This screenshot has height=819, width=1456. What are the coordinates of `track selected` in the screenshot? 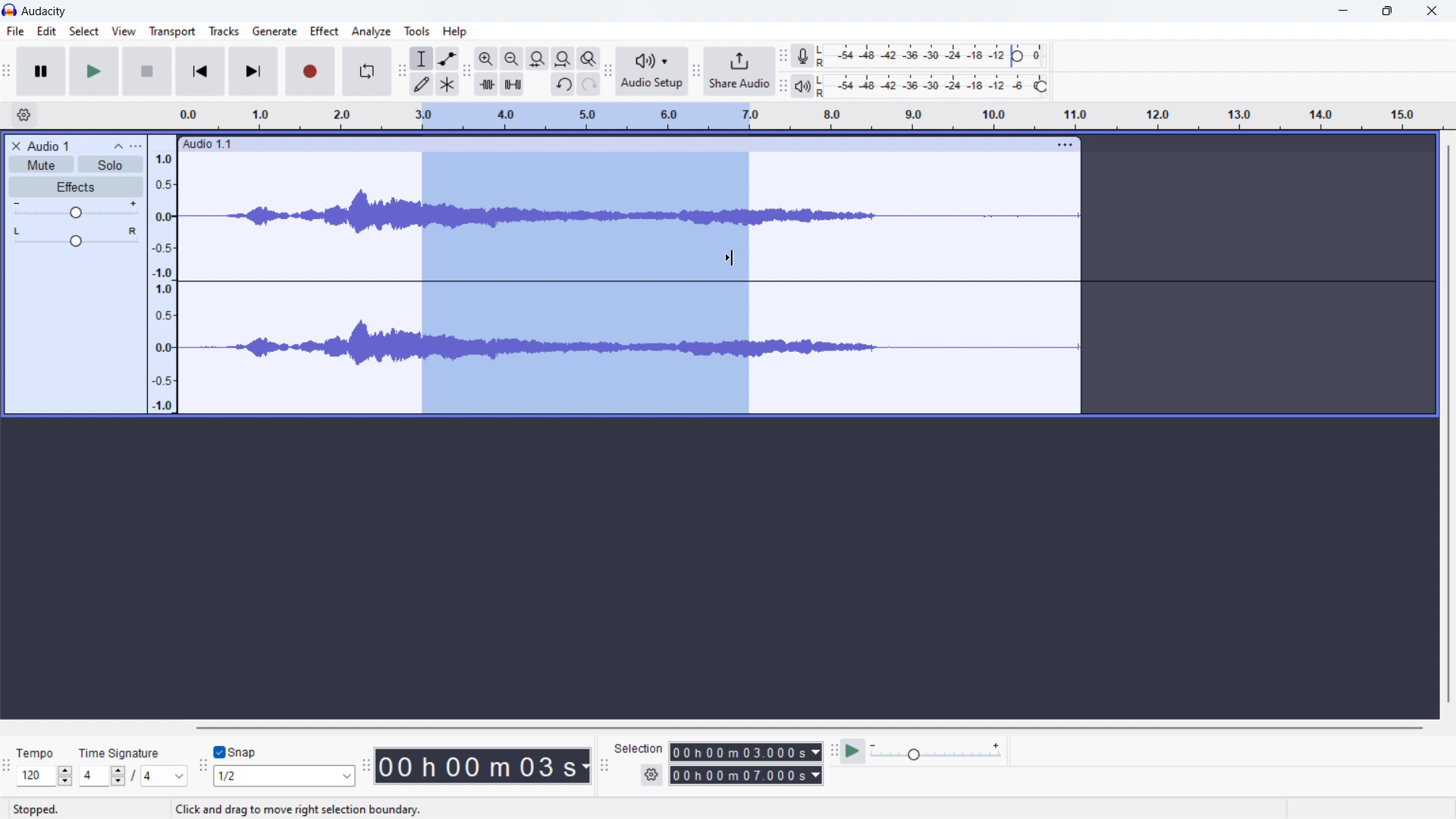 It's located at (918, 282).